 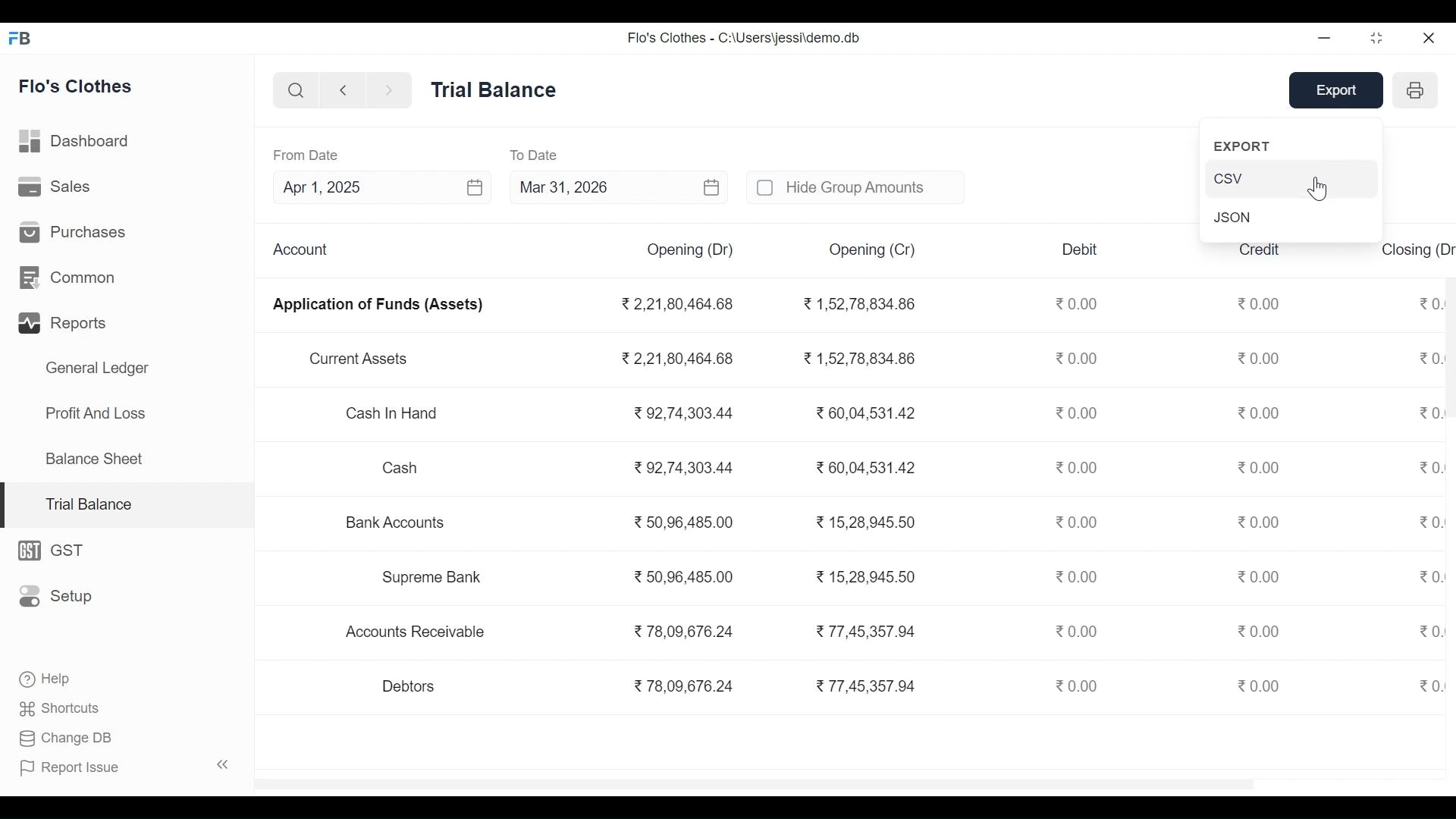 I want to click on Opening (Dr), so click(x=689, y=250).